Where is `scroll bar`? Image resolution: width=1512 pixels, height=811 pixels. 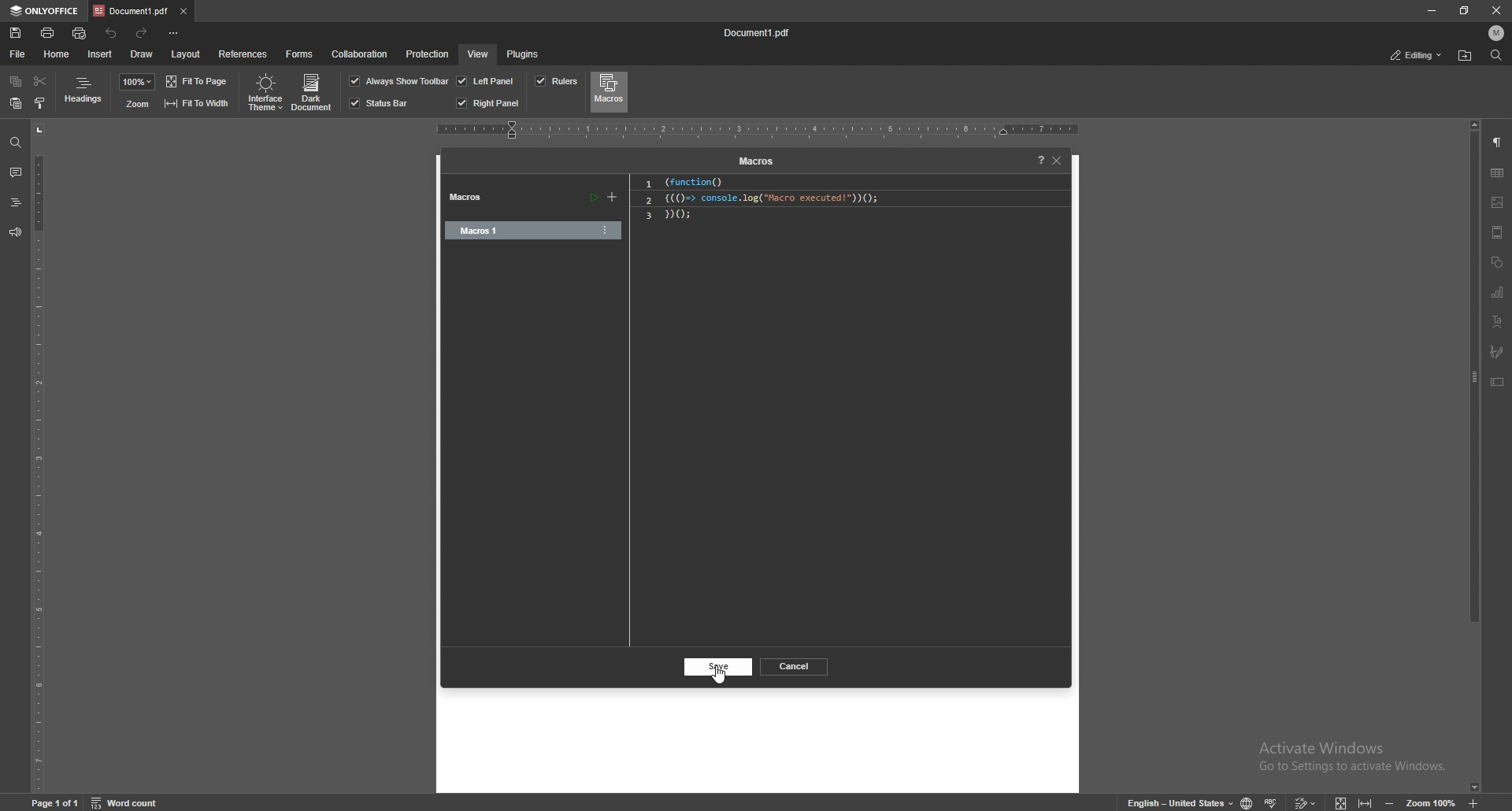 scroll bar is located at coordinates (1475, 455).